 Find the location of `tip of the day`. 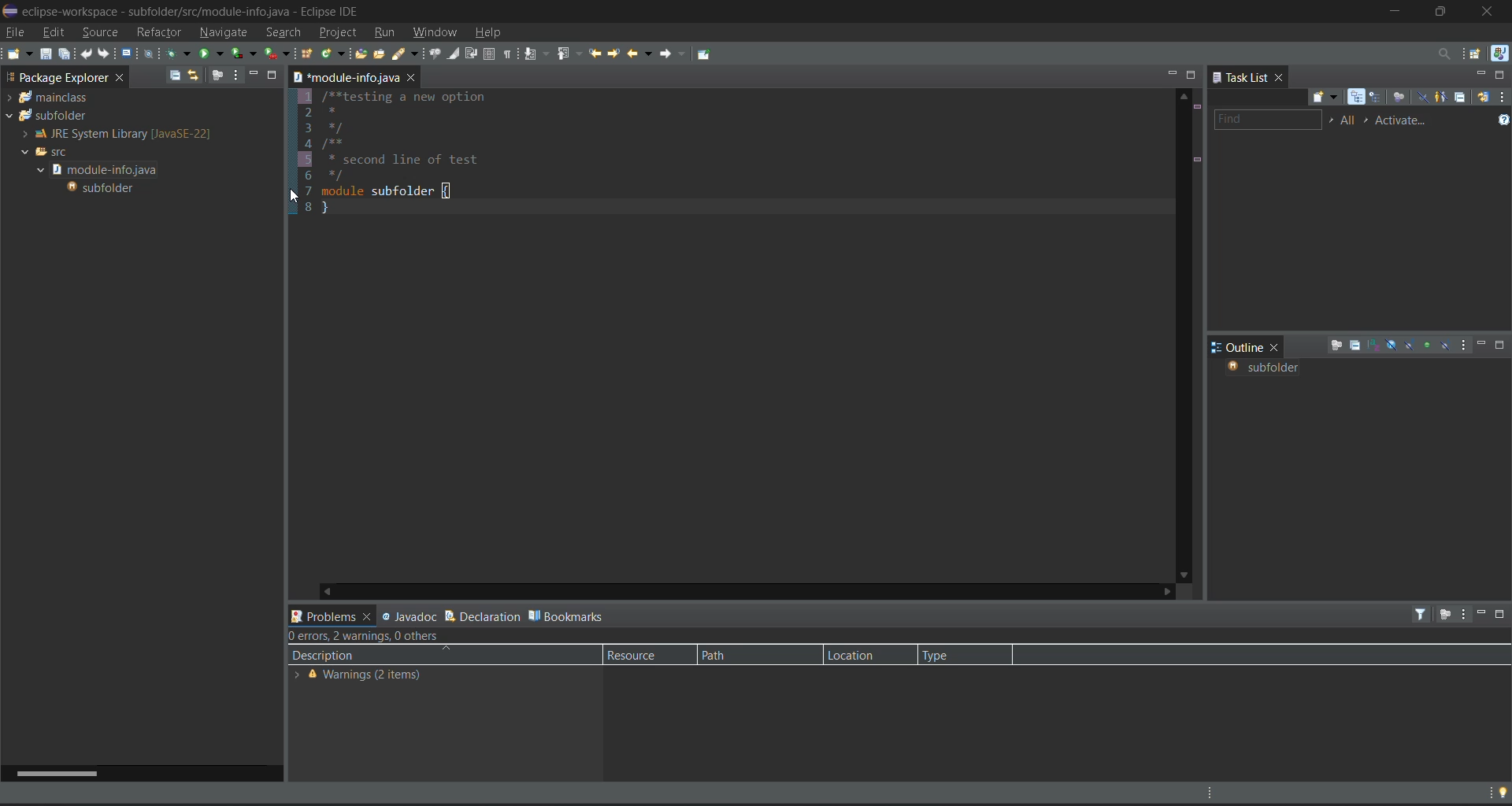

tip of the day is located at coordinates (1497, 792).